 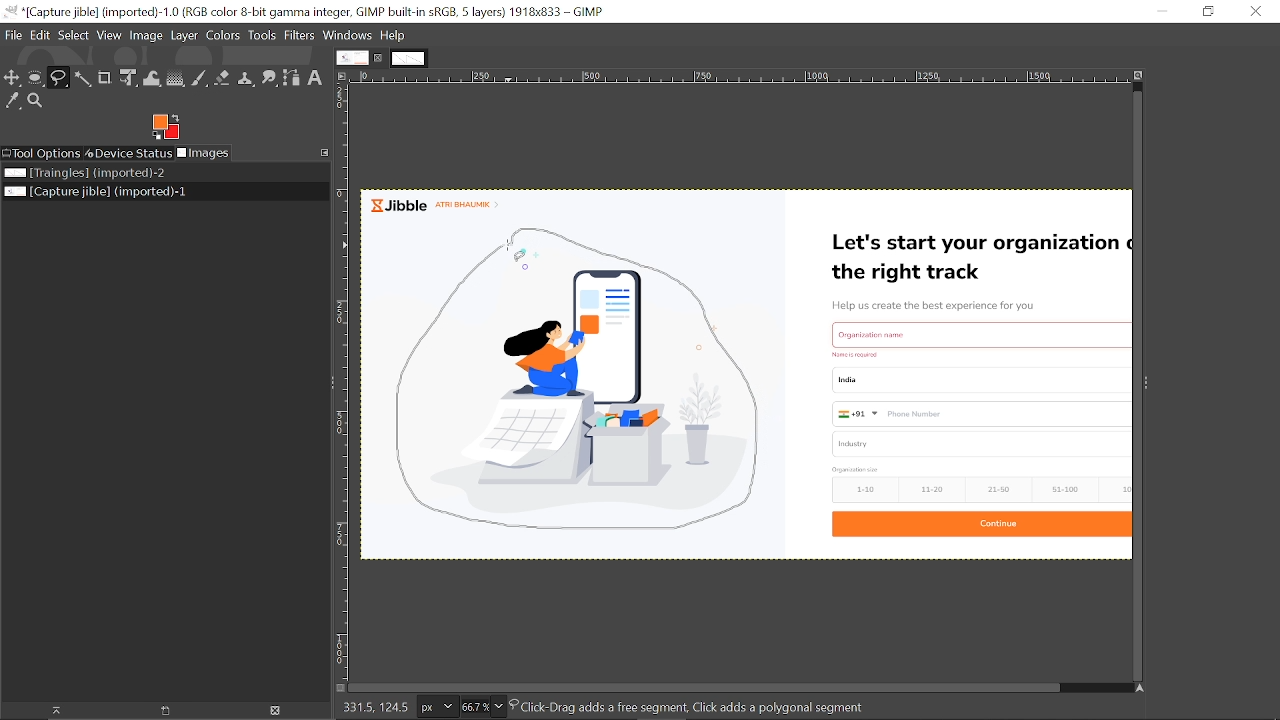 I want to click on Current image, so click(x=751, y=379).